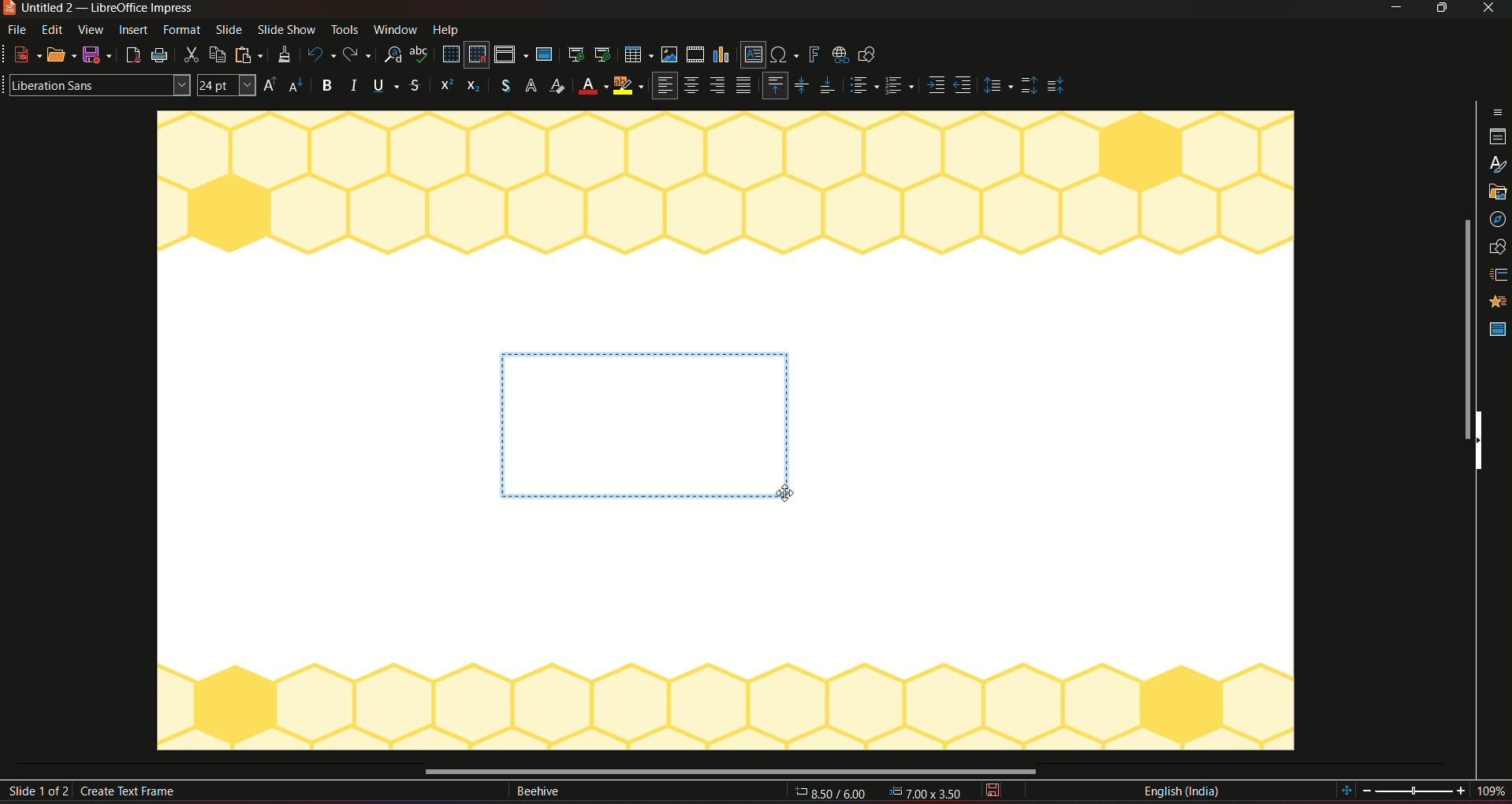 The width and height of the screenshot is (1512, 804). I want to click on sidebar settings, so click(1497, 80).